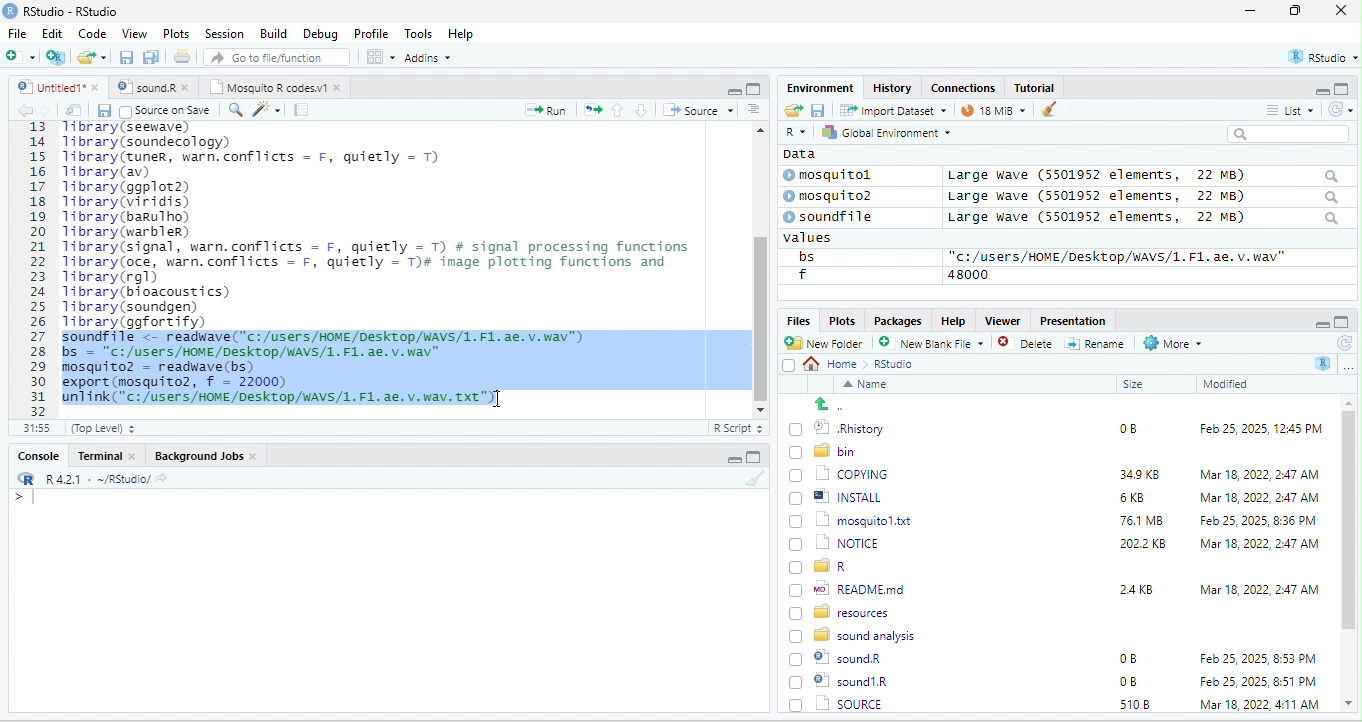 This screenshot has height=722, width=1362. Describe the element at coordinates (901, 320) in the screenshot. I see `Packages` at that location.